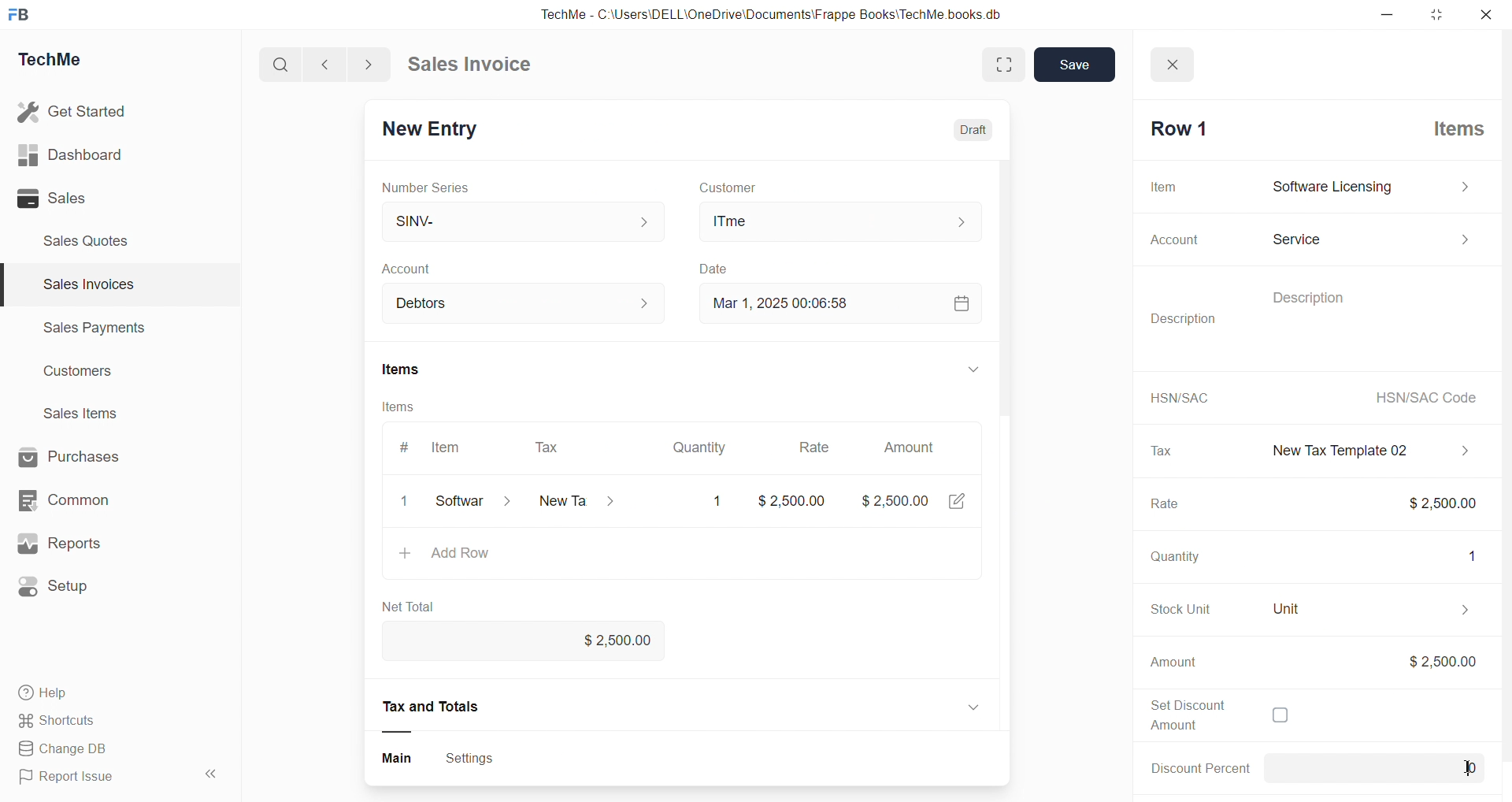 The height and width of the screenshot is (802, 1512). Describe the element at coordinates (754, 186) in the screenshot. I see `Customer` at that location.